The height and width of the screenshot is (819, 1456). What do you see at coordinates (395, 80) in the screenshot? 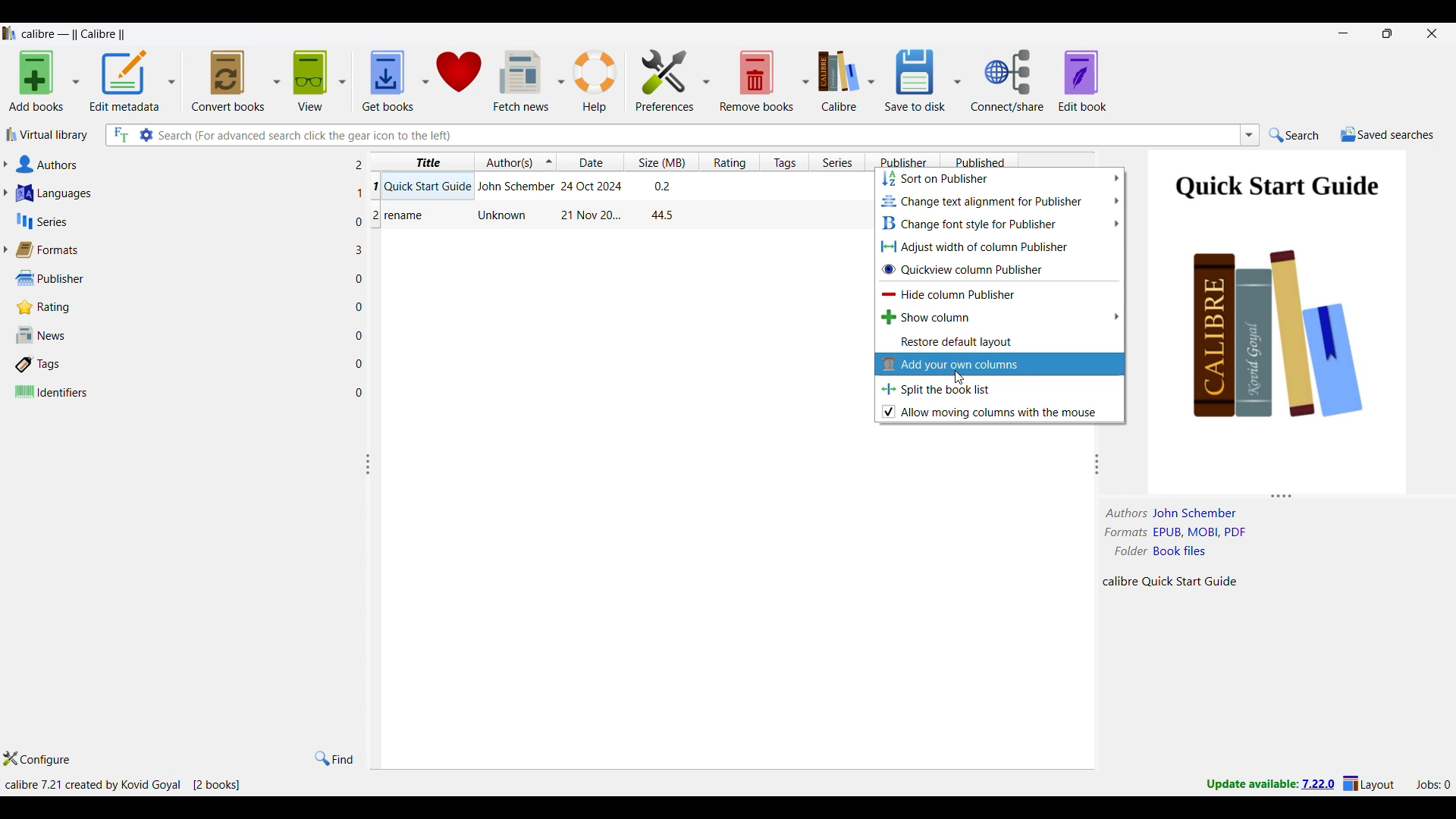
I see `Options to get books` at bounding box center [395, 80].